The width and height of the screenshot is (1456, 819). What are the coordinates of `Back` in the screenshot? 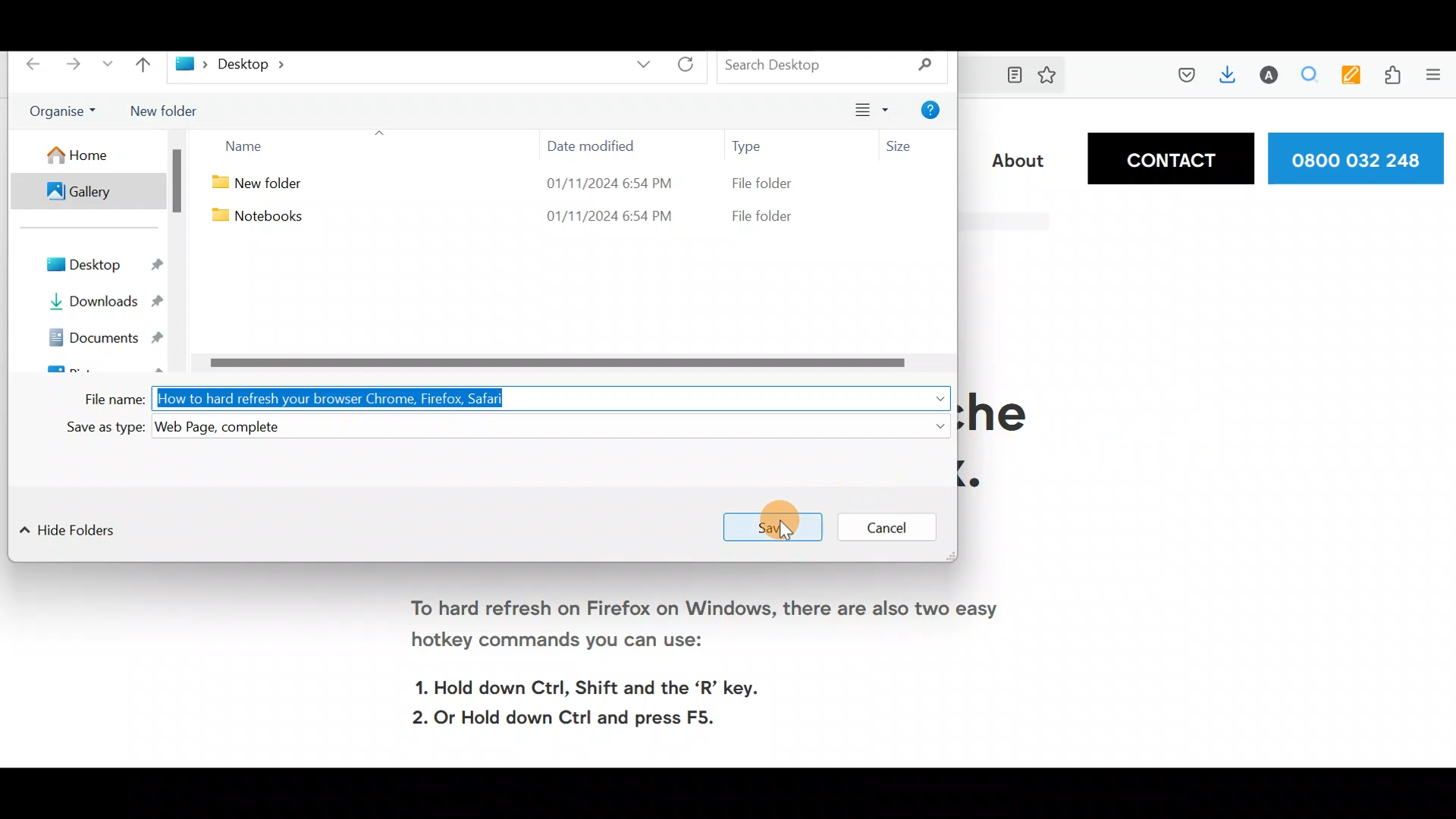 It's located at (30, 67).